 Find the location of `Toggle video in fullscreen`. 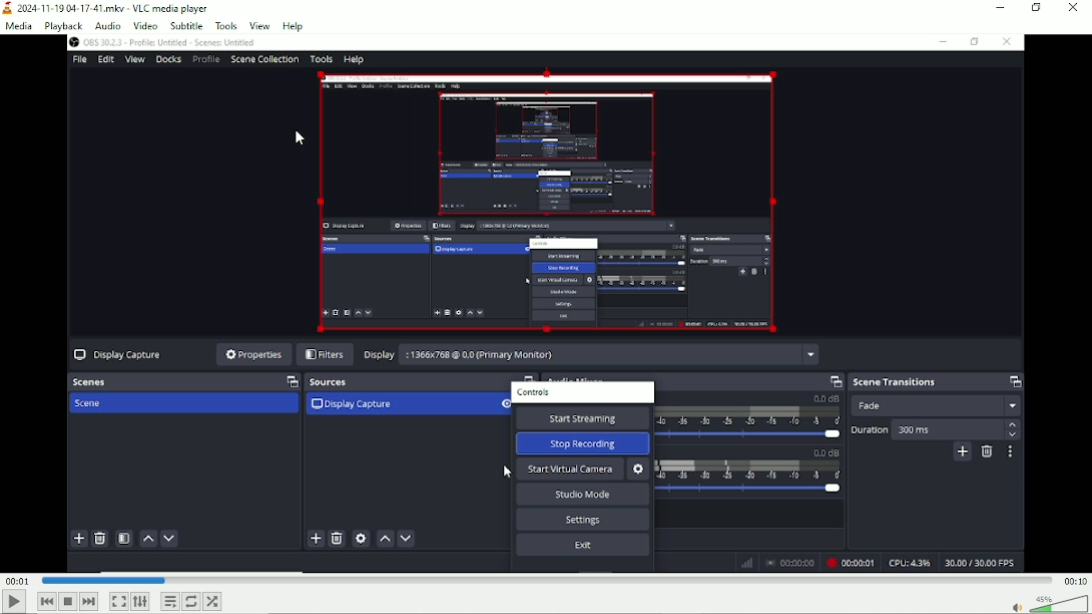

Toggle video in fullscreen is located at coordinates (118, 601).